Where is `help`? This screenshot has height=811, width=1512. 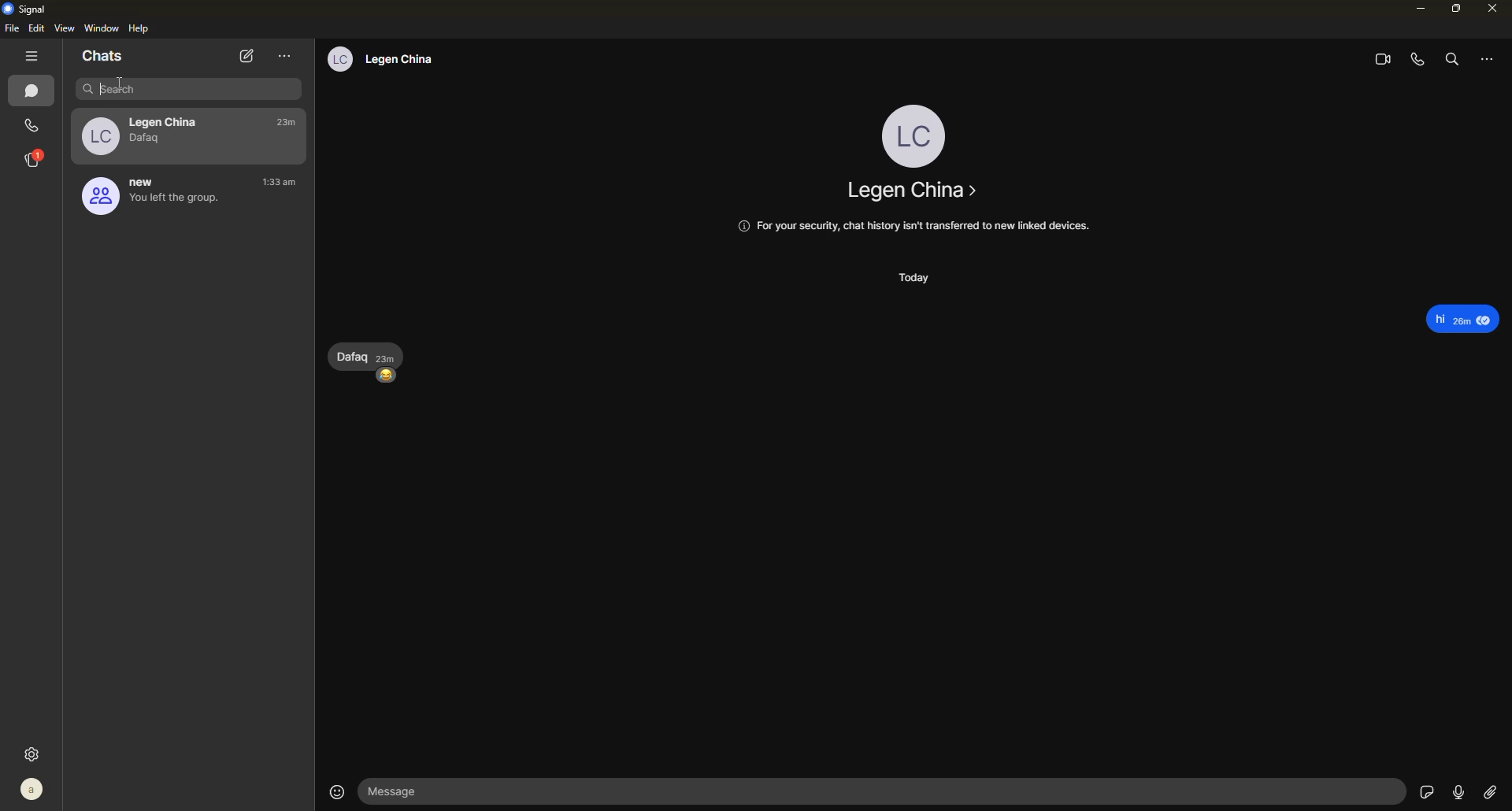
help is located at coordinates (139, 29).